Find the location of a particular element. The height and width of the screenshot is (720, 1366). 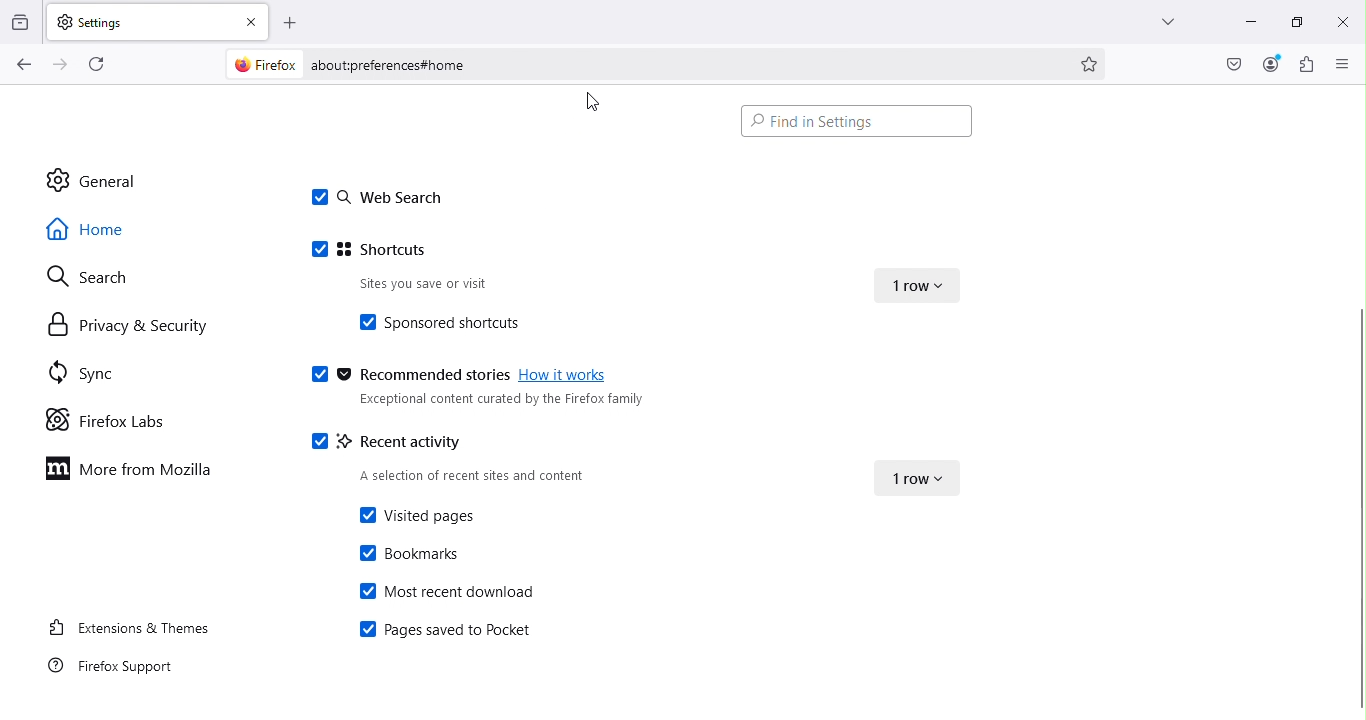

Account is located at coordinates (1231, 65).